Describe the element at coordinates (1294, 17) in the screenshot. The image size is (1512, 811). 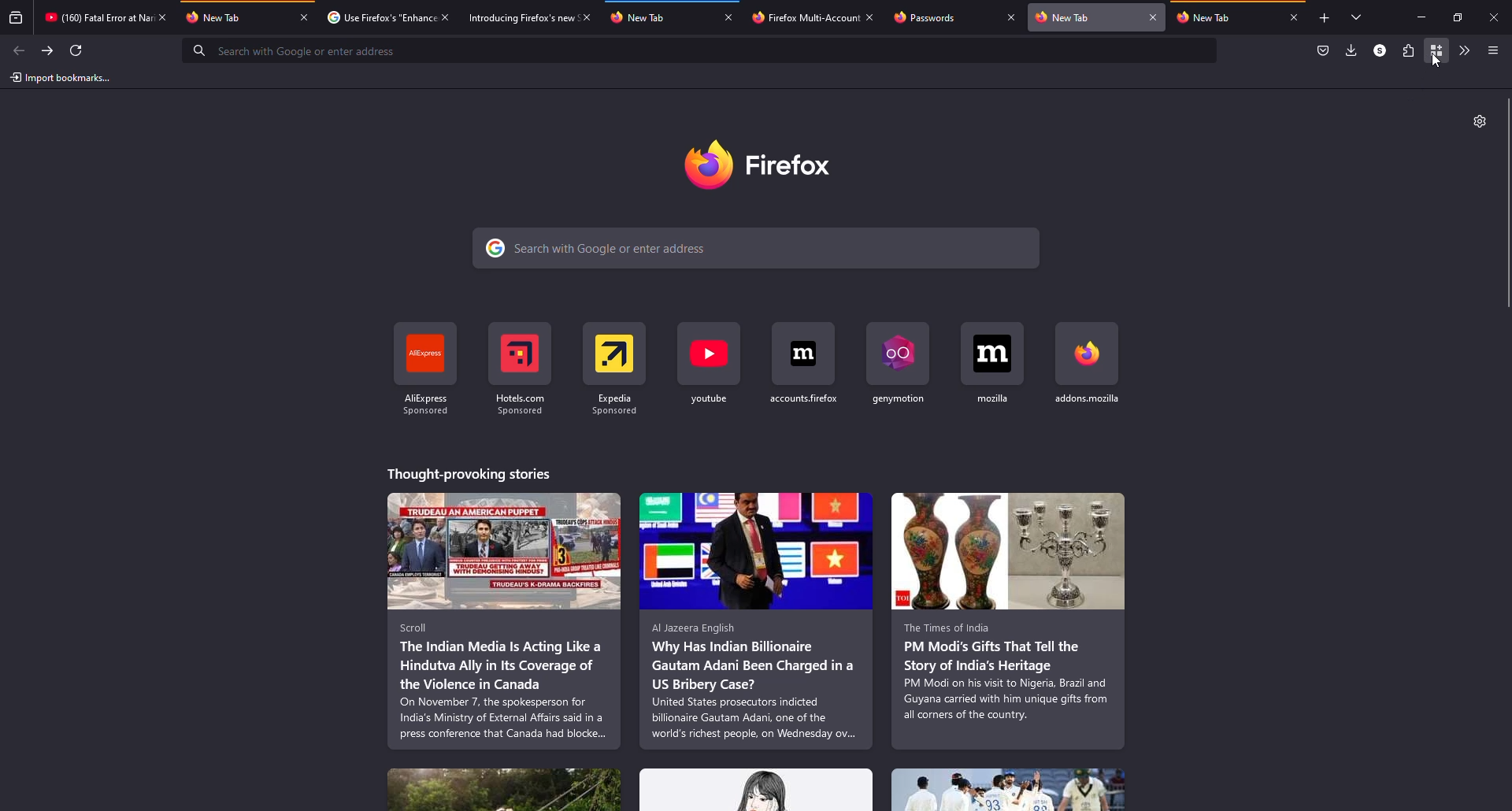
I see `close` at that location.